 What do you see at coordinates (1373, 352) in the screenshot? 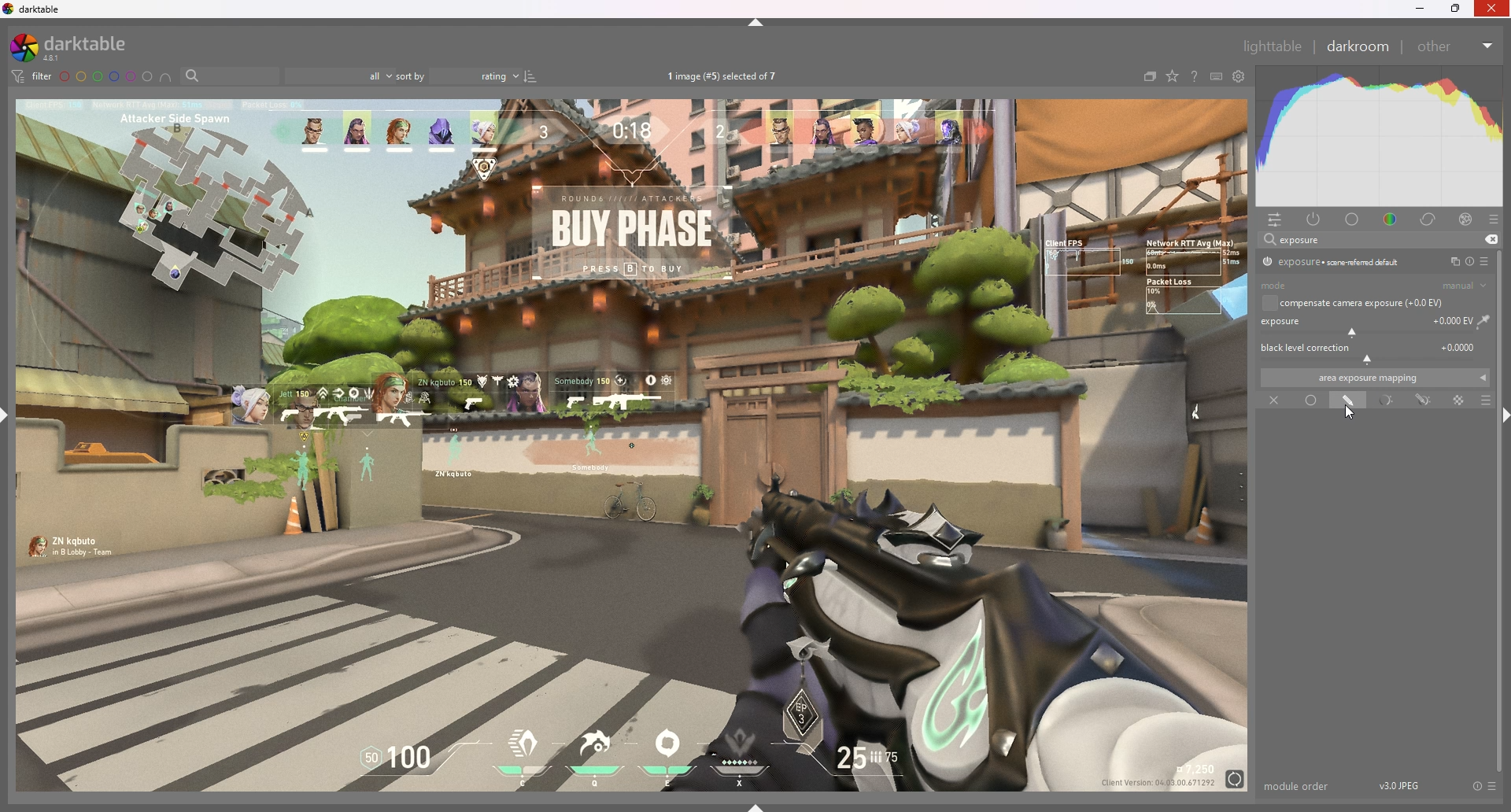
I see `black level correction` at bounding box center [1373, 352].